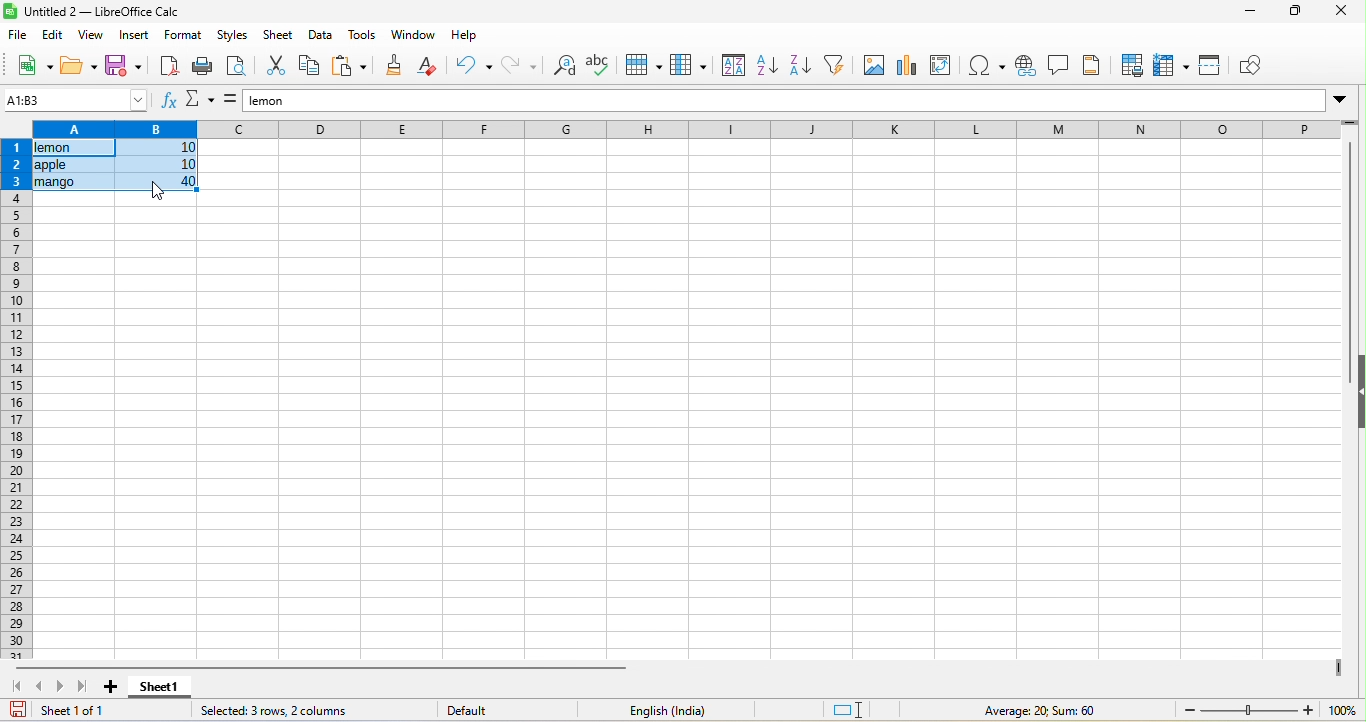 Image resolution: width=1366 pixels, height=722 pixels. I want to click on horizontal scroll bar, so click(318, 668).